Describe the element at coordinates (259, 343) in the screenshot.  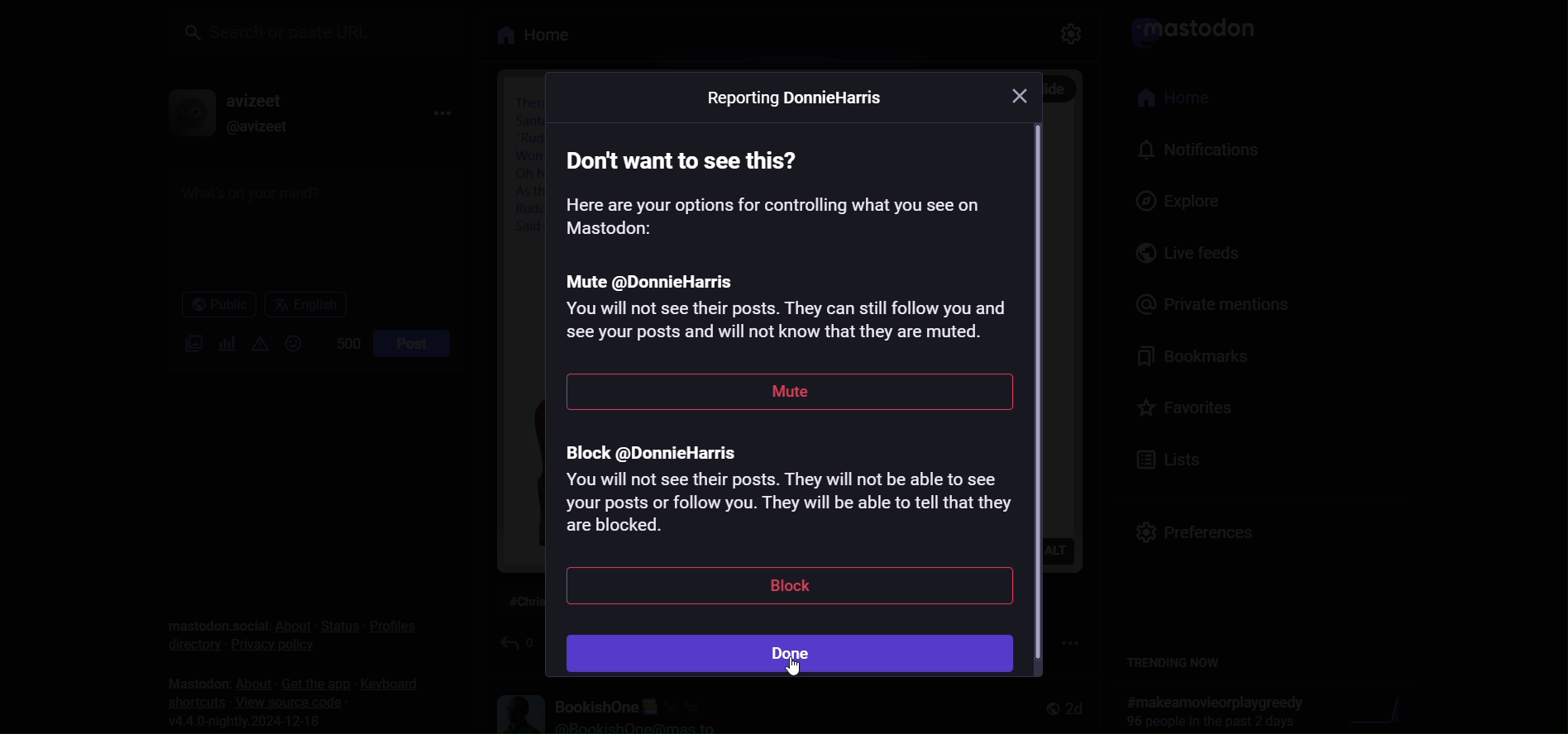
I see `content warning` at that location.